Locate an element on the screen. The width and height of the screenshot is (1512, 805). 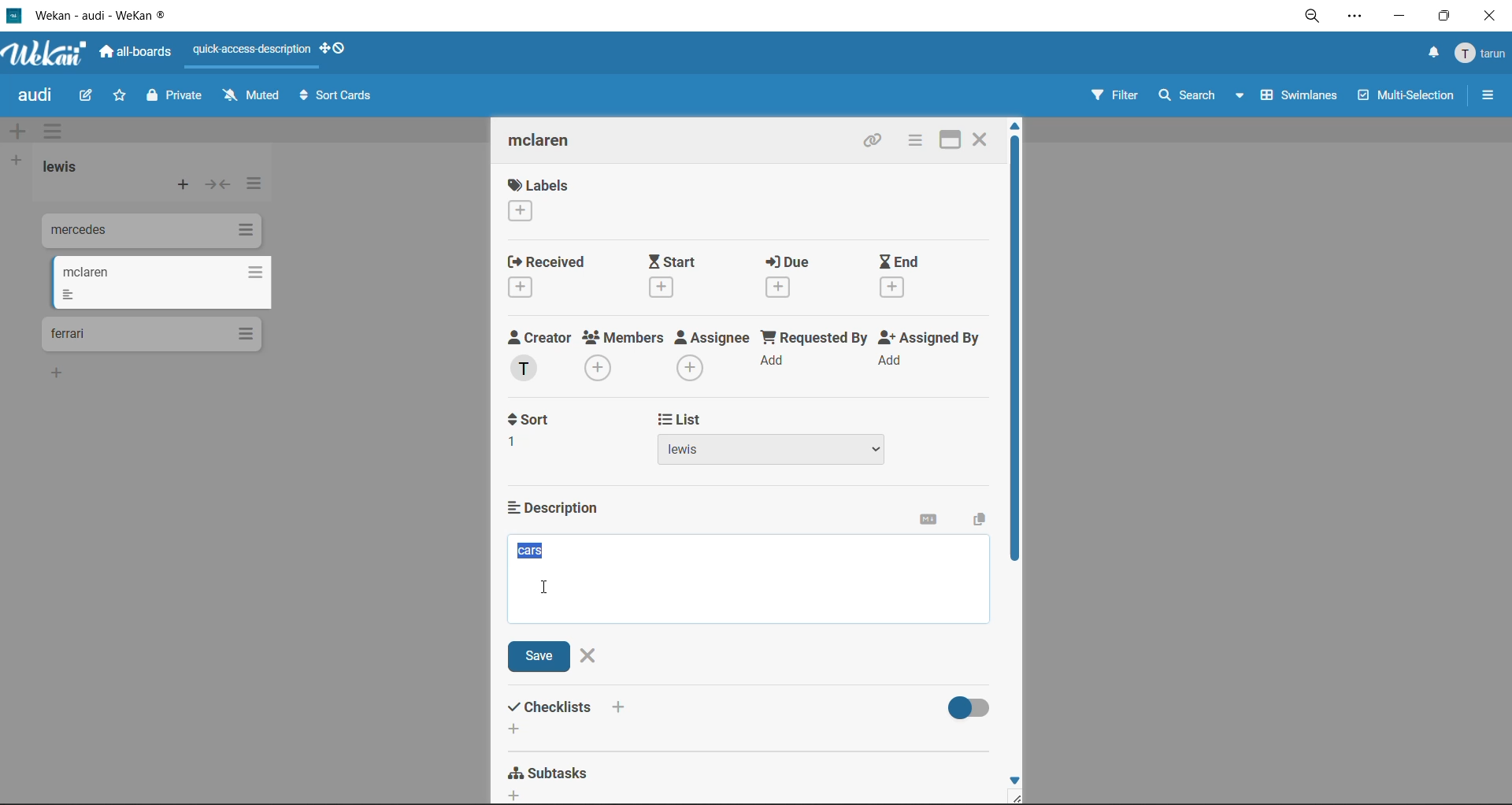
muted is located at coordinates (254, 95).